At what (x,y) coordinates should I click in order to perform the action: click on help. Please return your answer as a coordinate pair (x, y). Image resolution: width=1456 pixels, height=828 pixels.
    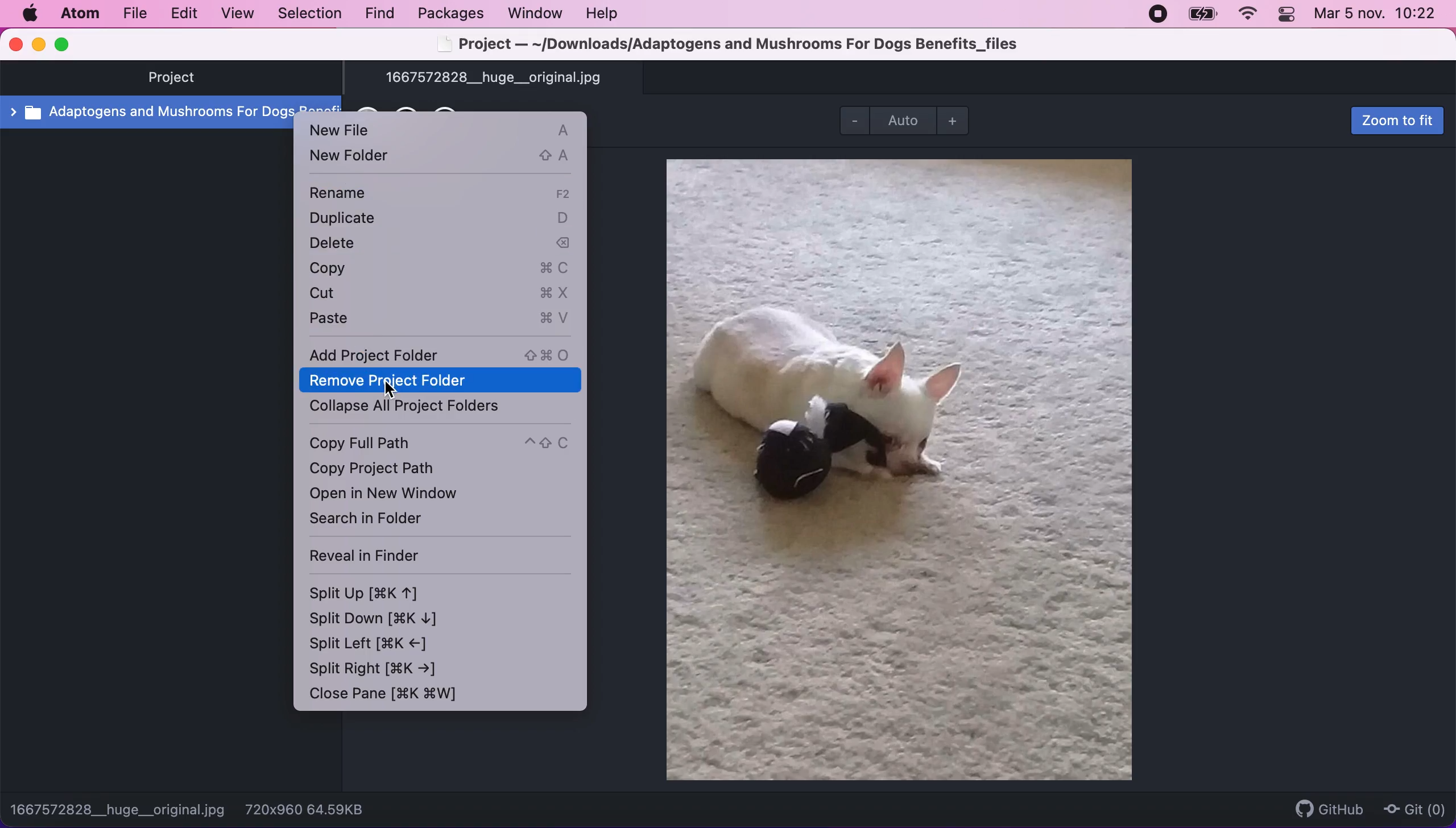
    Looking at the image, I should click on (604, 15).